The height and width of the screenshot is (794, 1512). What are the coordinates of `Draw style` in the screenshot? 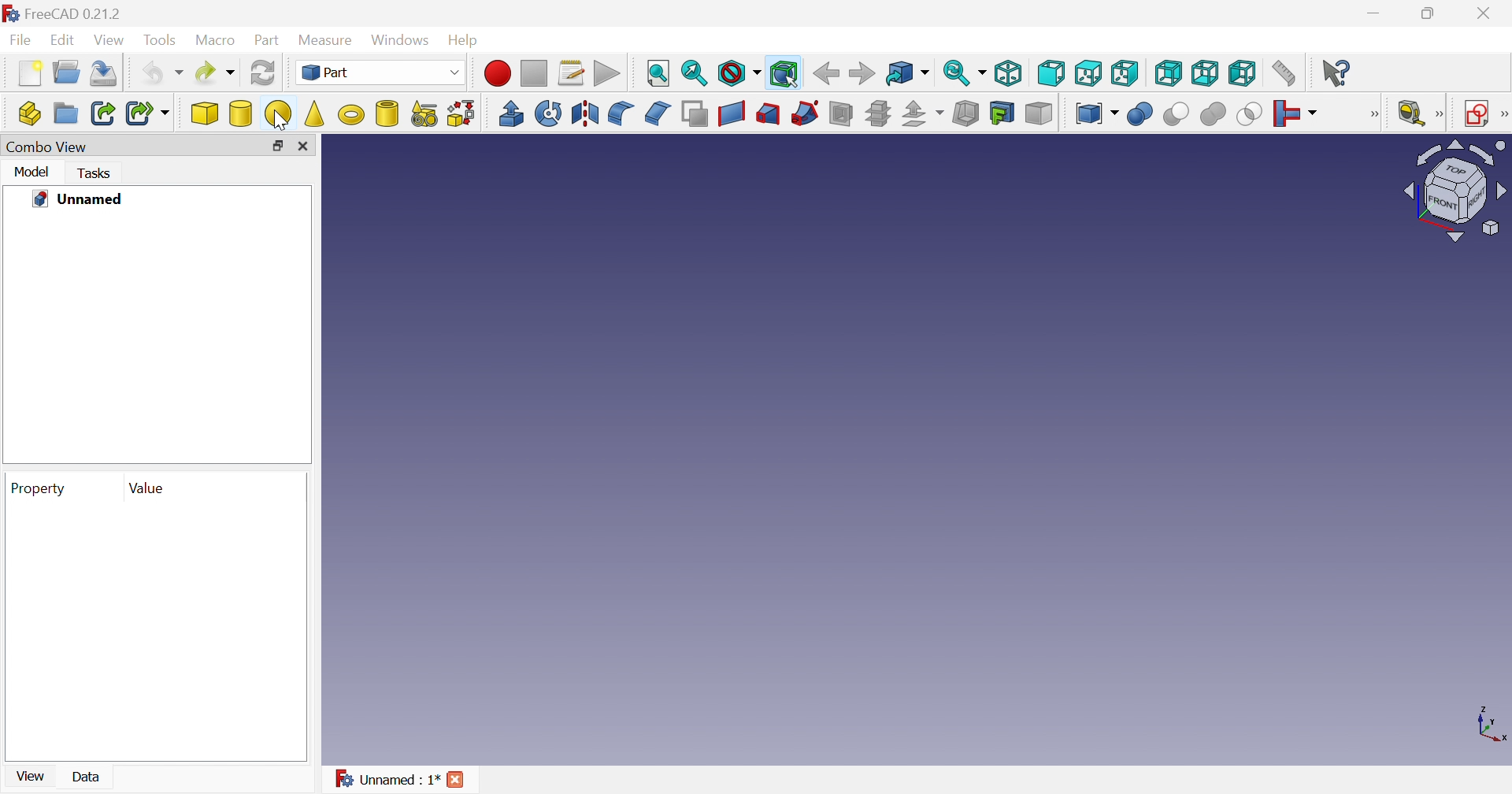 It's located at (741, 74).